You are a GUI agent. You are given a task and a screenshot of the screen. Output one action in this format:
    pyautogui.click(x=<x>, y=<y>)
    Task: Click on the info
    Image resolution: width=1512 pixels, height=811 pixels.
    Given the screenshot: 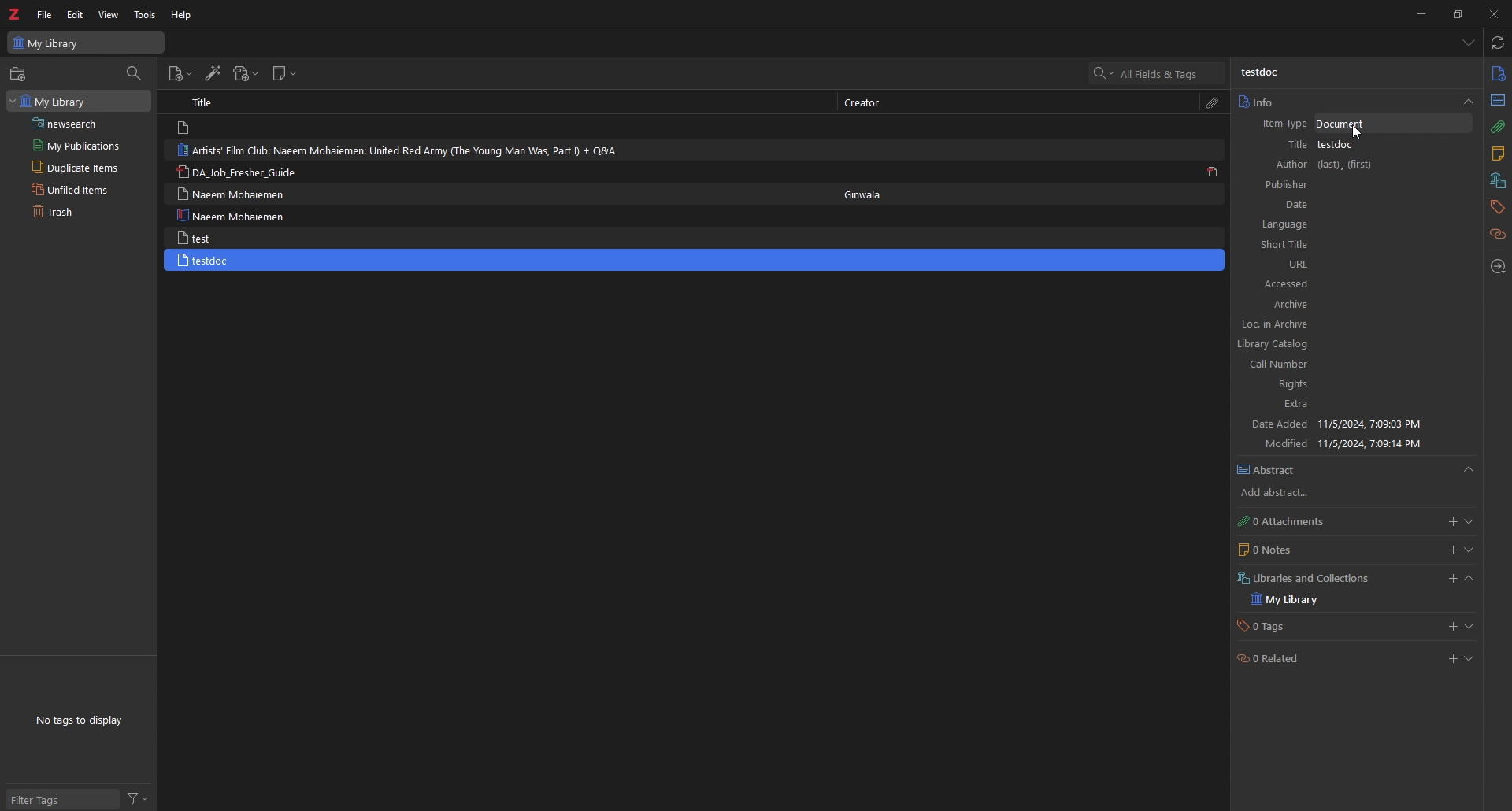 What is the action you would take?
    pyautogui.click(x=1354, y=102)
    